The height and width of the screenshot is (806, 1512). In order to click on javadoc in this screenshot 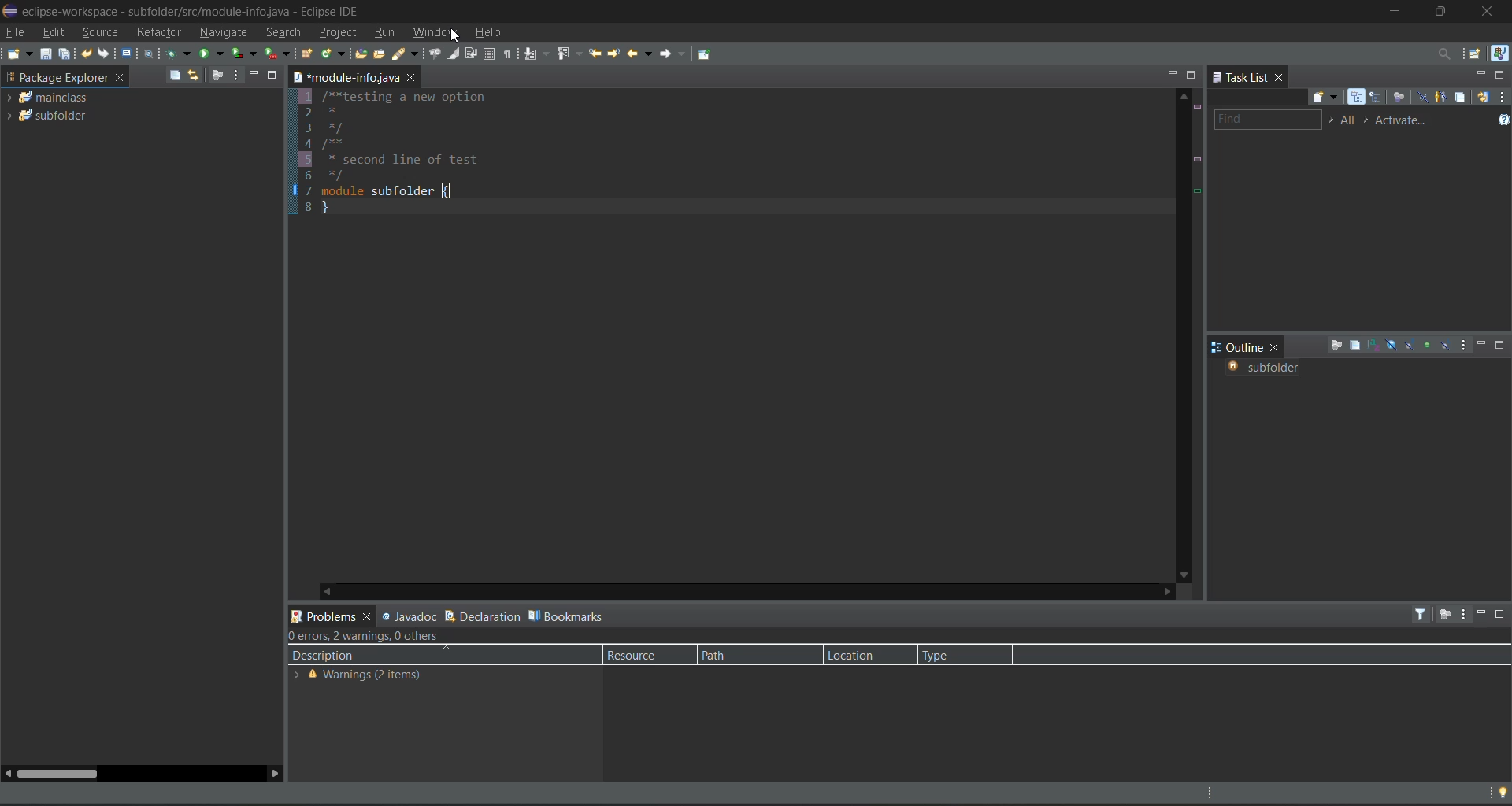, I will do `click(408, 615)`.